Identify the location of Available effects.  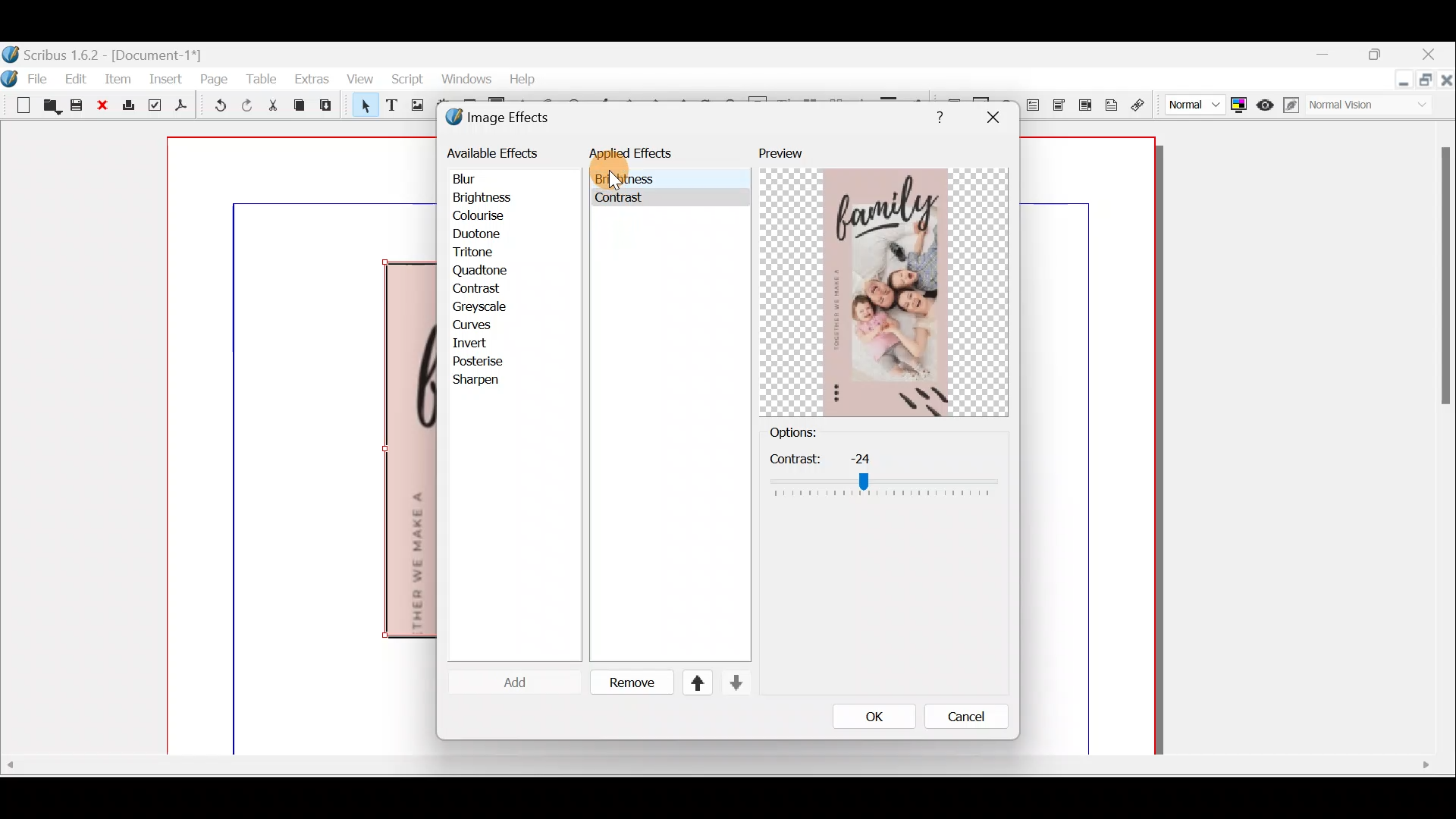
(495, 152).